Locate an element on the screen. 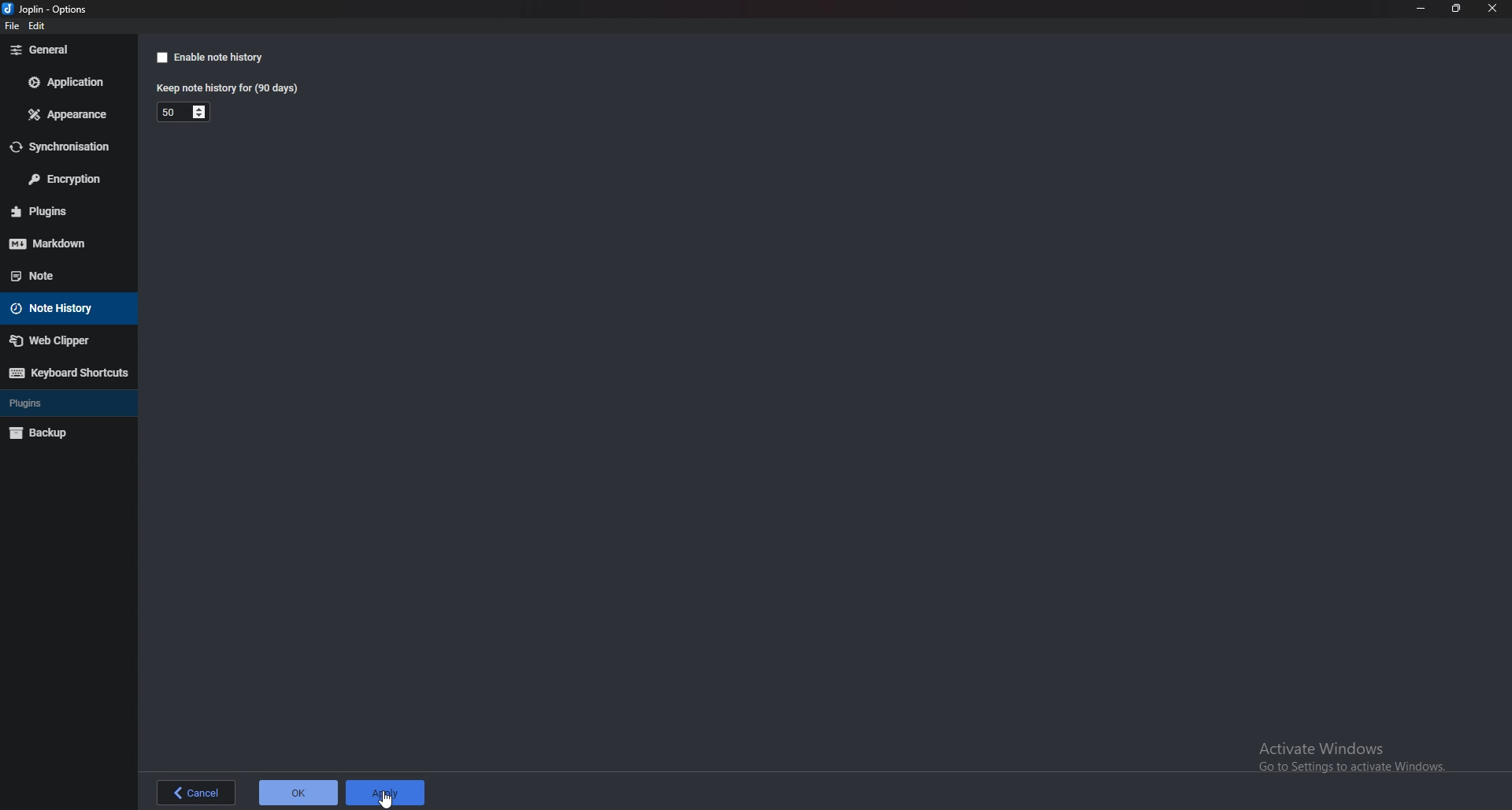 The height and width of the screenshot is (810, 1512). options is located at coordinates (48, 9).